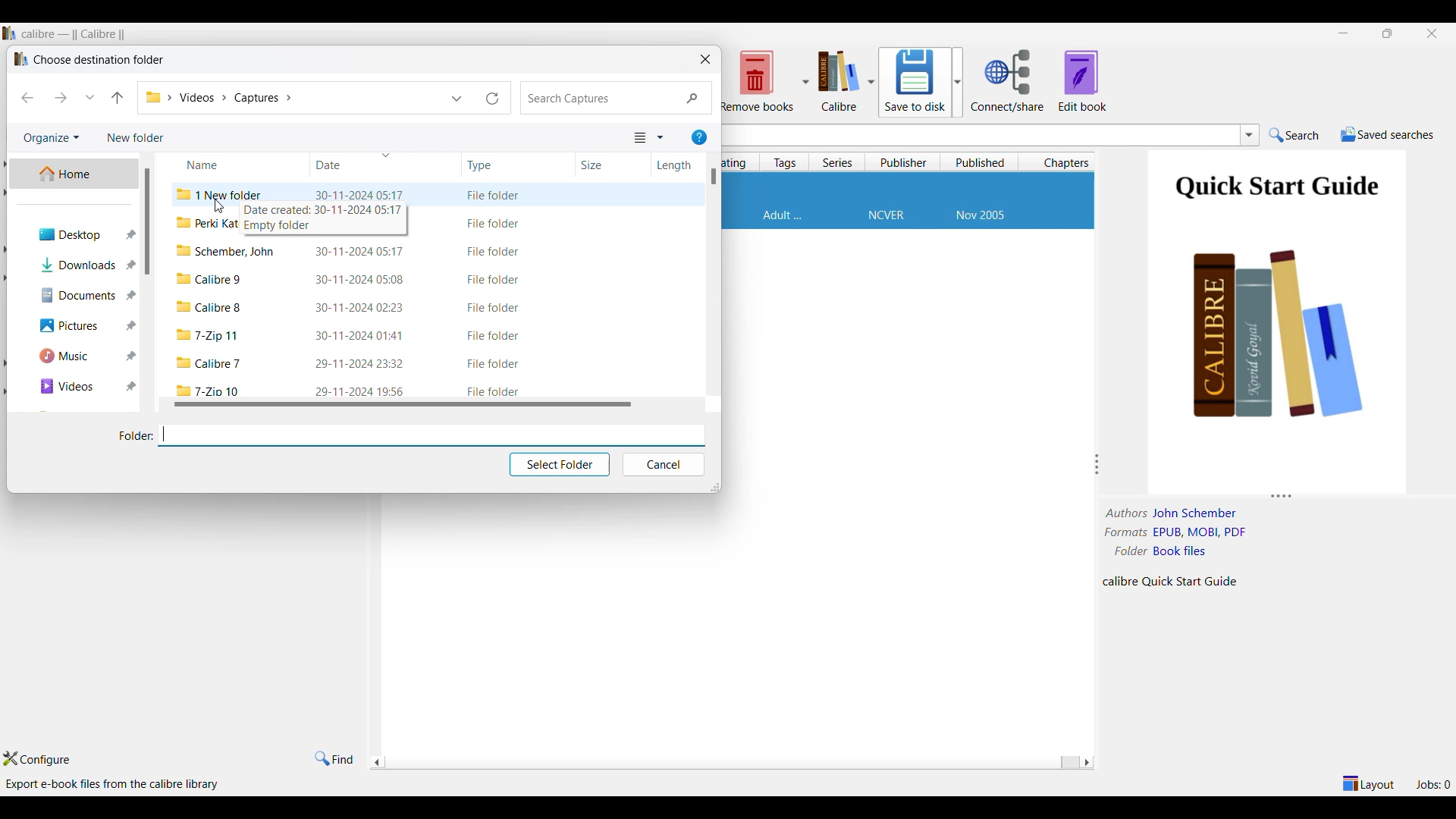 The width and height of the screenshot is (1456, 819). What do you see at coordinates (78, 387) in the screenshot?
I see `Videos` at bounding box center [78, 387].